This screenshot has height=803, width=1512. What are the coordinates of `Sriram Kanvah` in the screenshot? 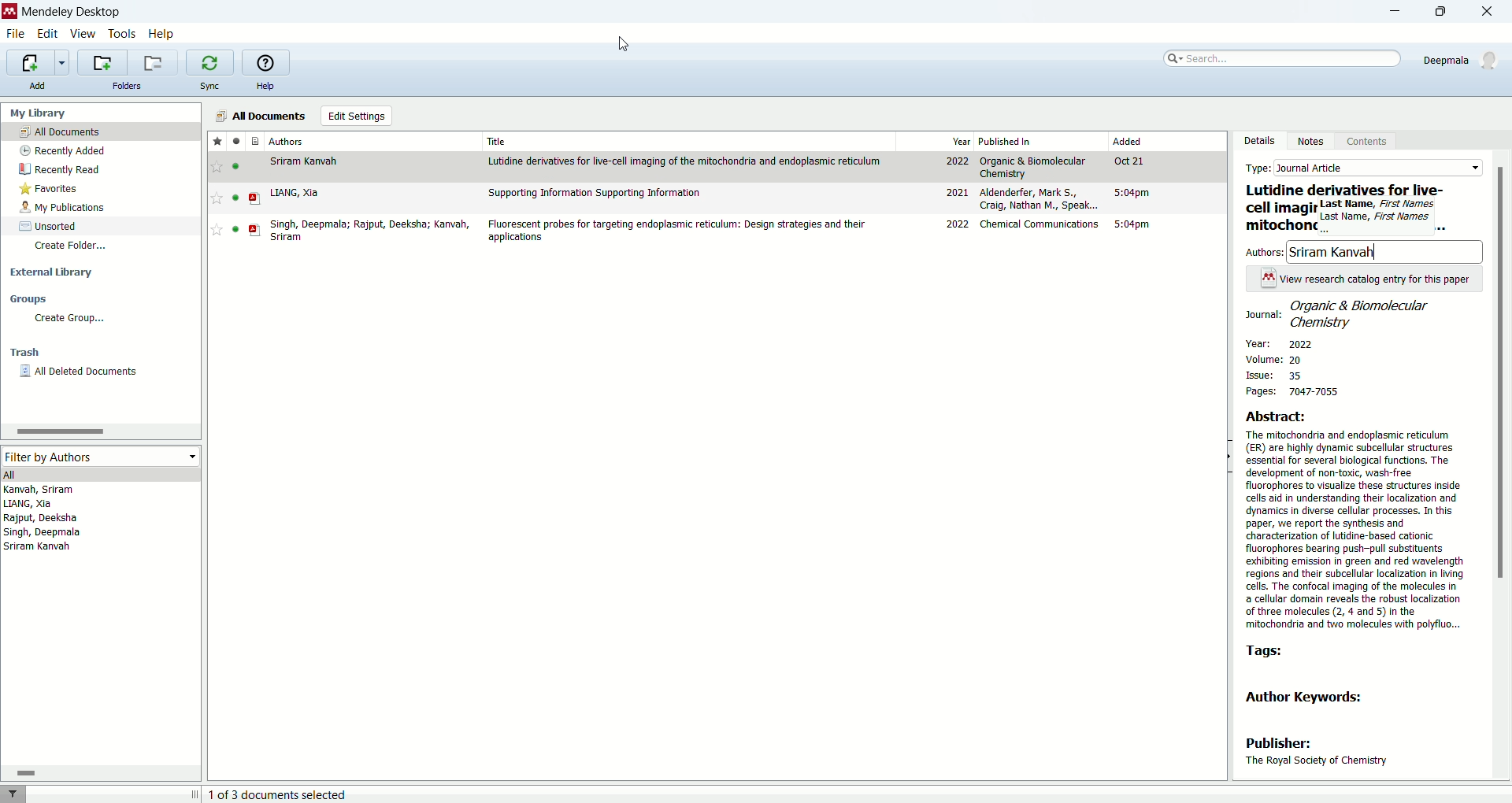 It's located at (308, 162).